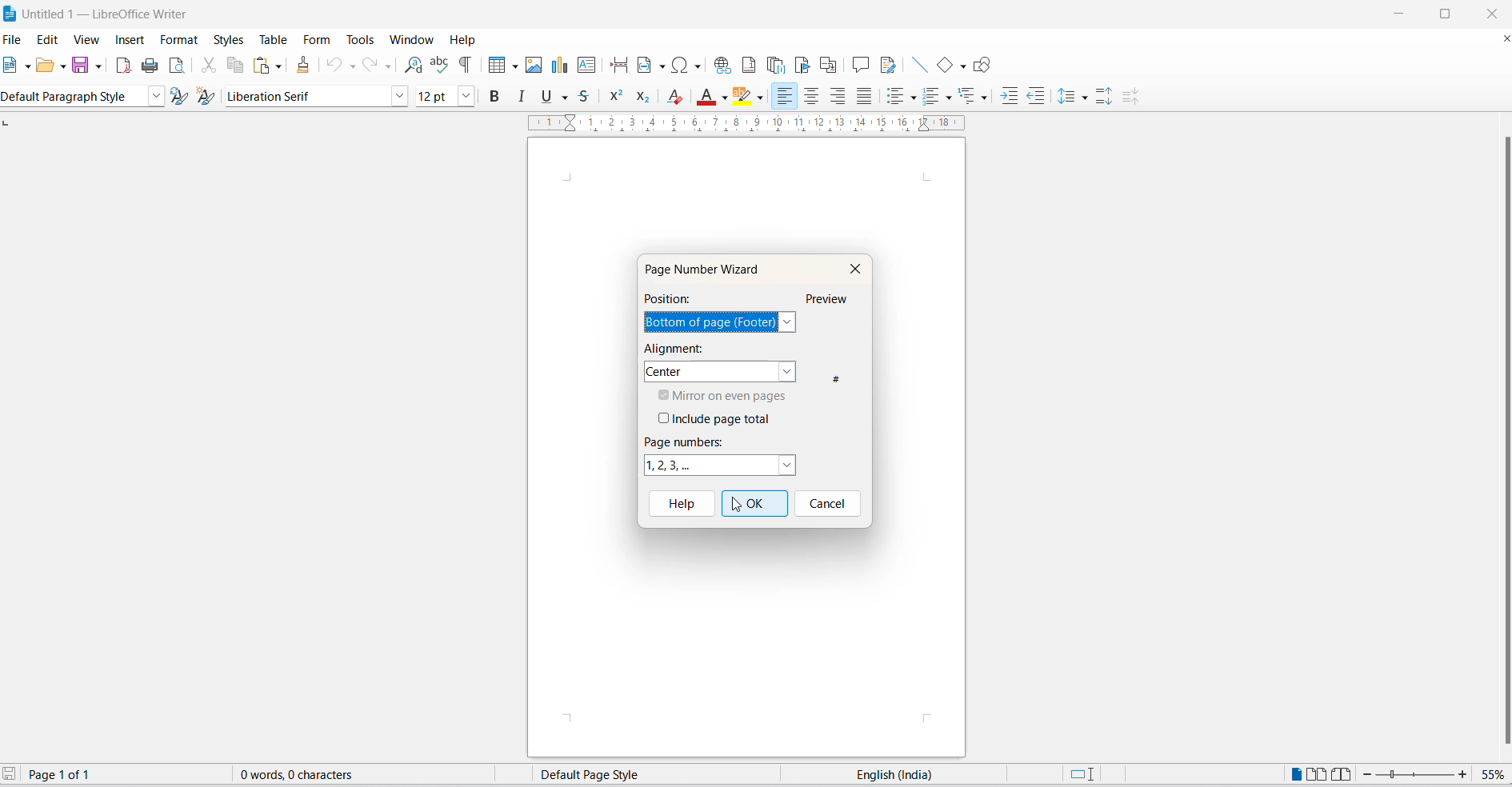 Image resolution: width=1512 pixels, height=787 pixels. Describe the element at coordinates (369, 67) in the screenshot. I see `redo` at that location.